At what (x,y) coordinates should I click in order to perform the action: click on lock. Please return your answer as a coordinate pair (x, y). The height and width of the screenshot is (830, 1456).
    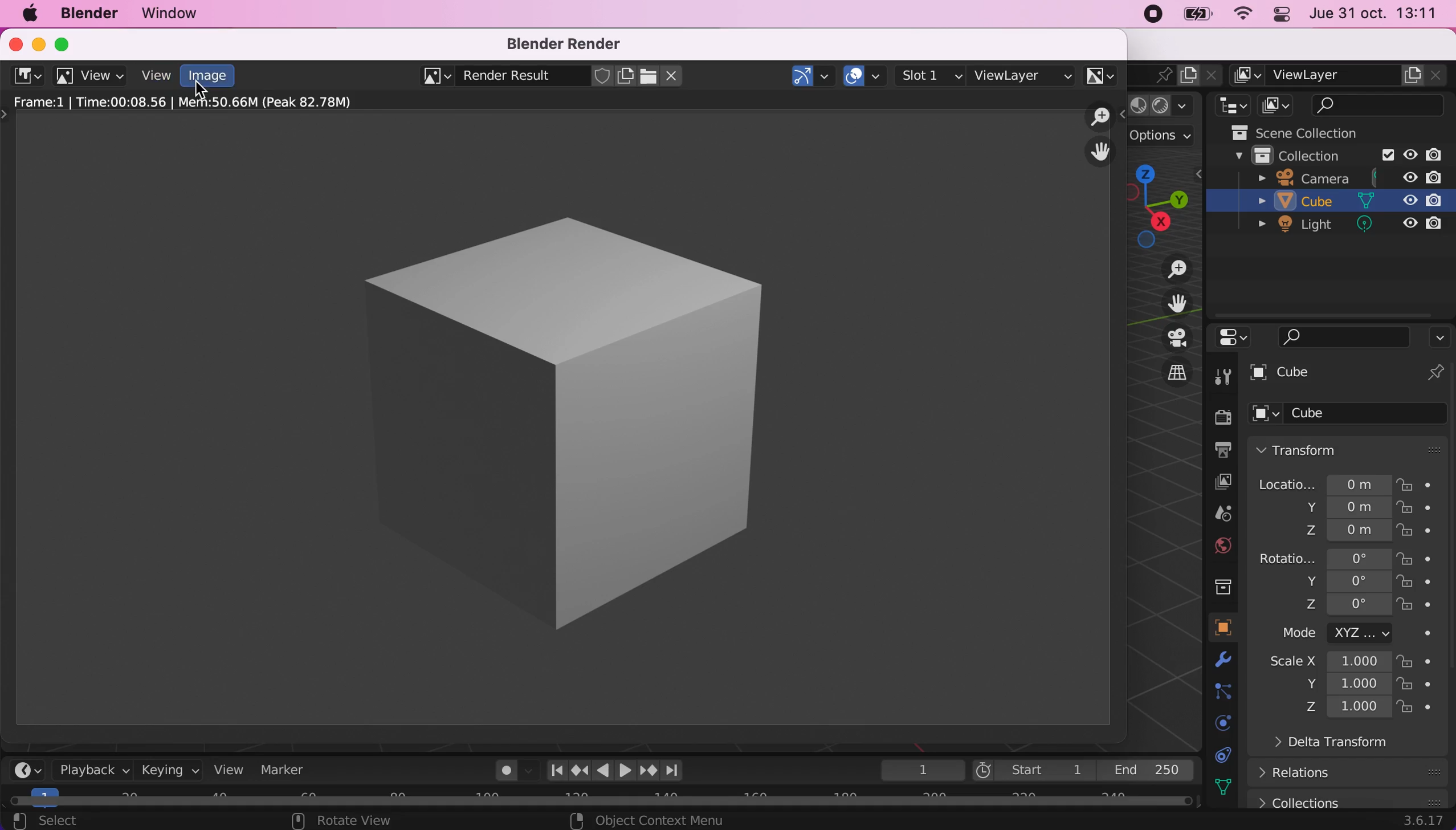
    Looking at the image, I should click on (1421, 483).